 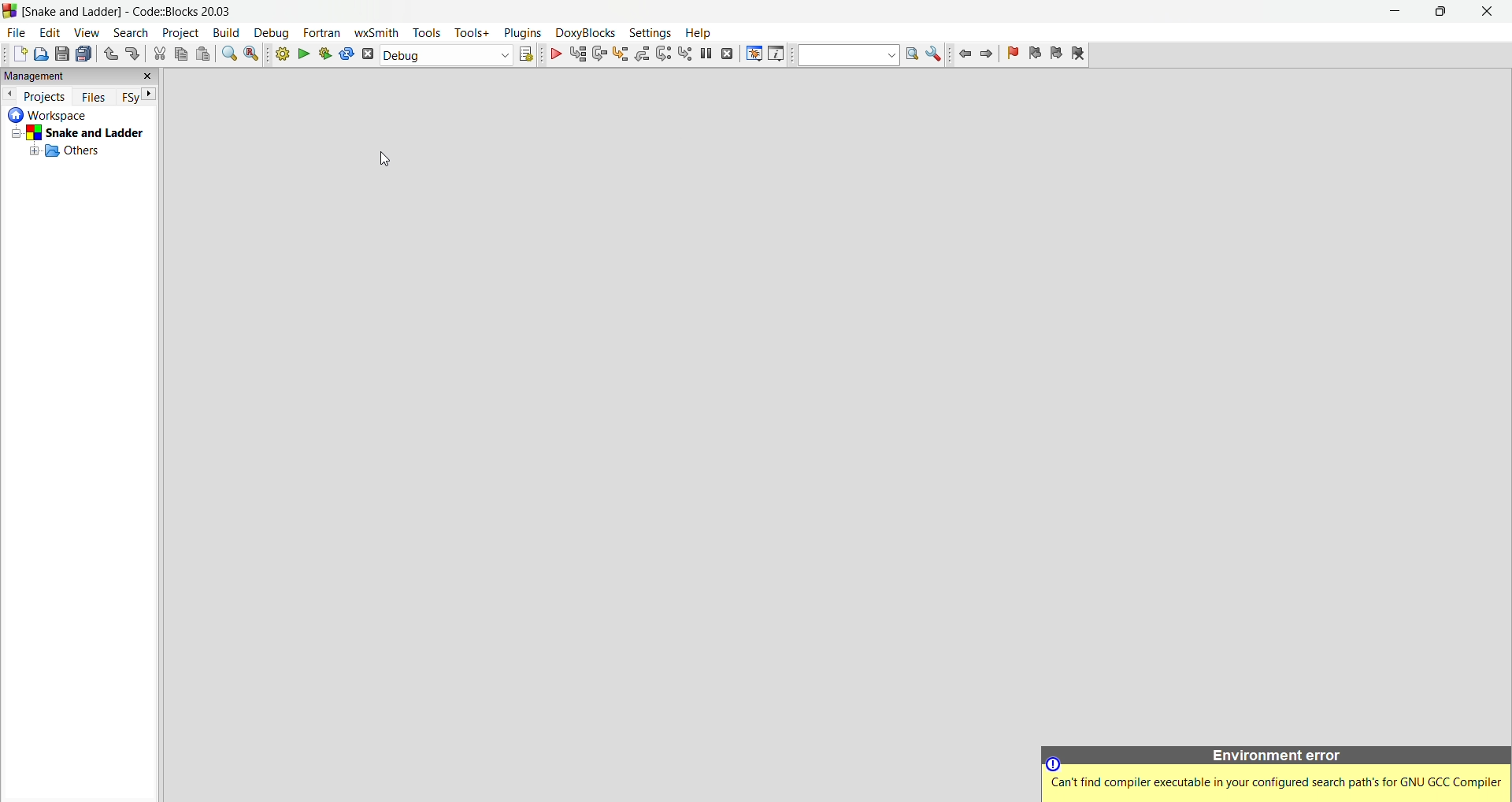 What do you see at coordinates (182, 54) in the screenshot?
I see `copy` at bounding box center [182, 54].